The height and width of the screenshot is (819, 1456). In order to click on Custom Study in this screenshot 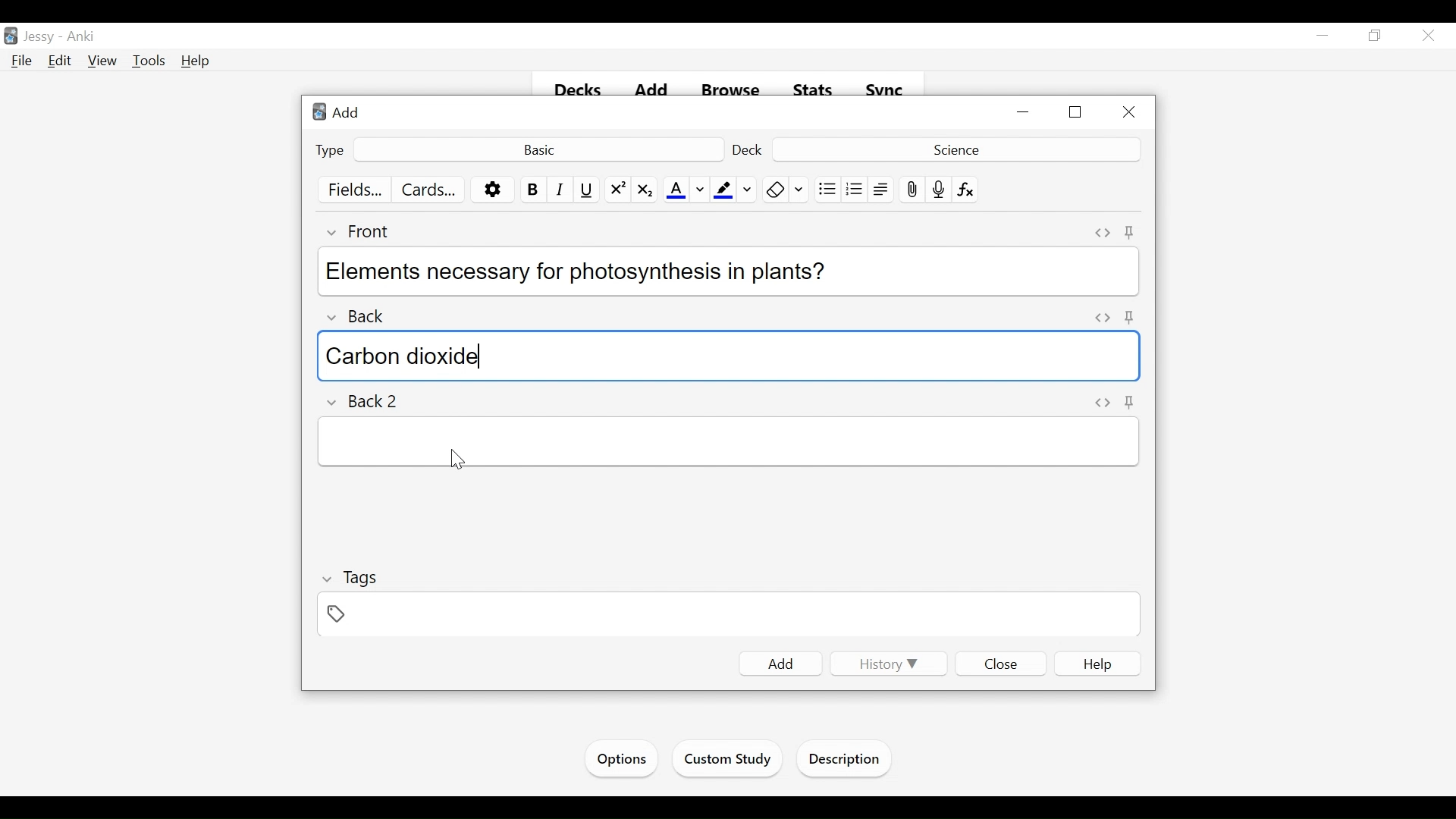, I will do `click(729, 761)`.